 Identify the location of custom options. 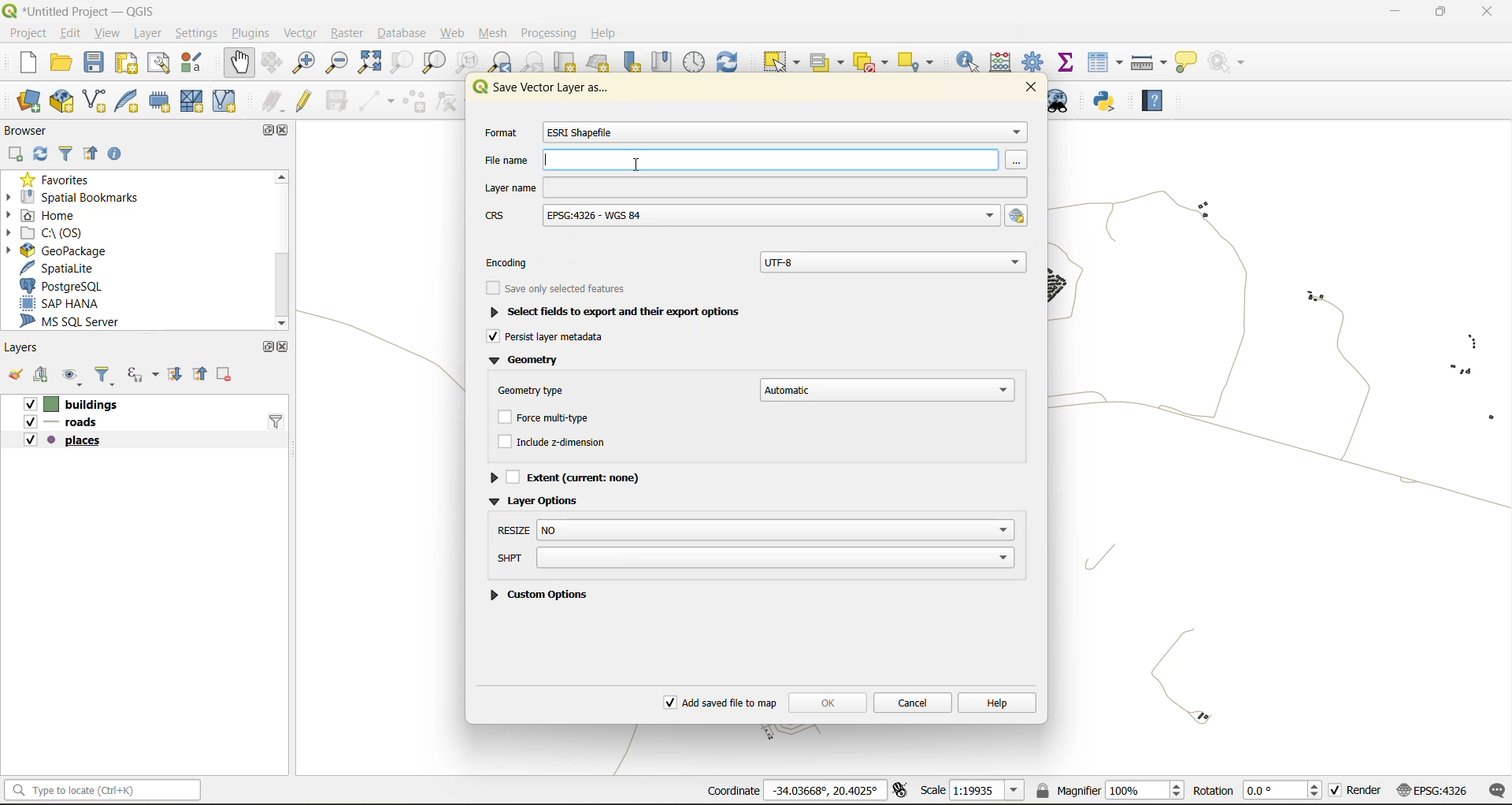
(543, 593).